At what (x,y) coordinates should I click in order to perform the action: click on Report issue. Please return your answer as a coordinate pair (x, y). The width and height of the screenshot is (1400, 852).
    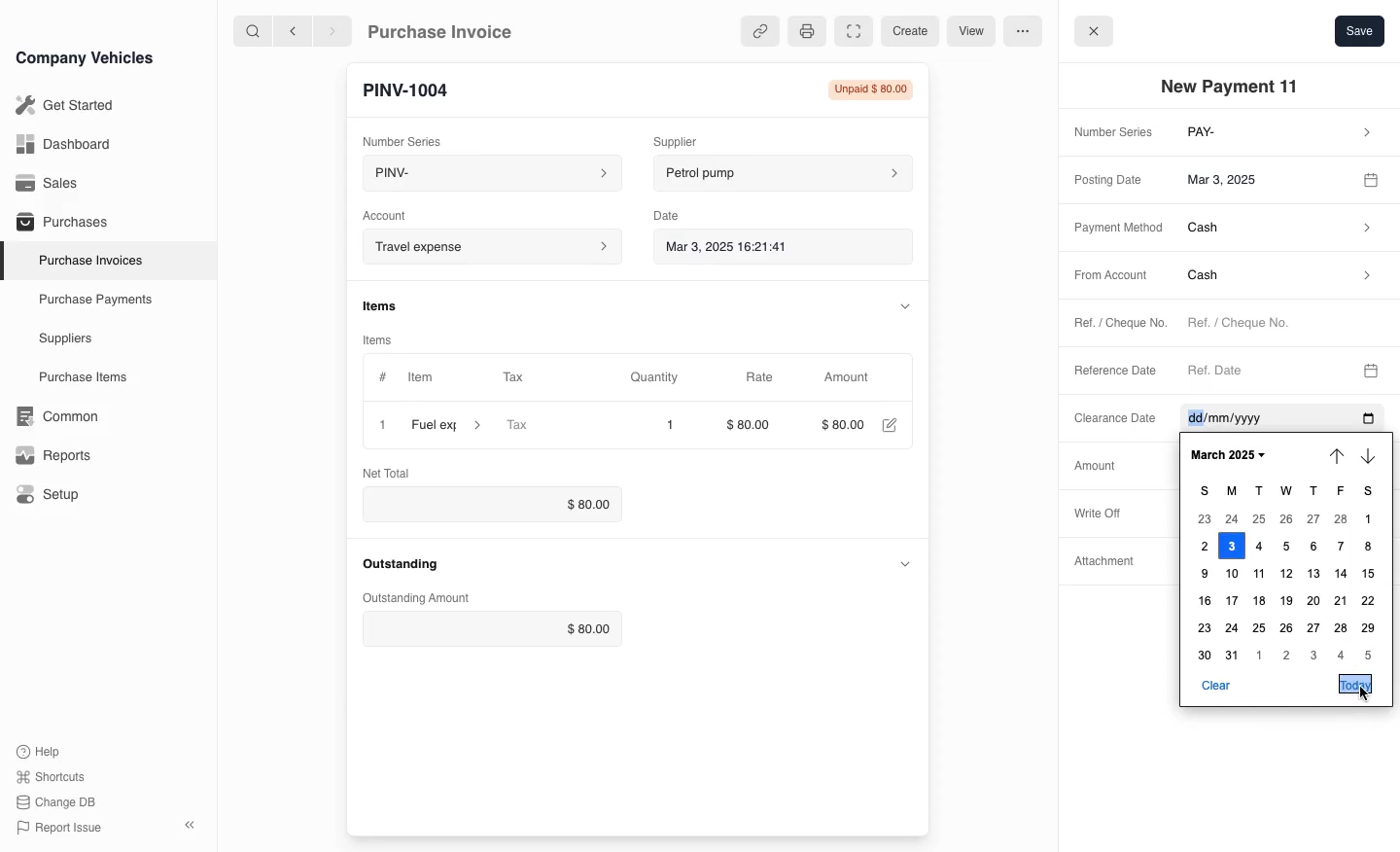
    Looking at the image, I should click on (62, 829).